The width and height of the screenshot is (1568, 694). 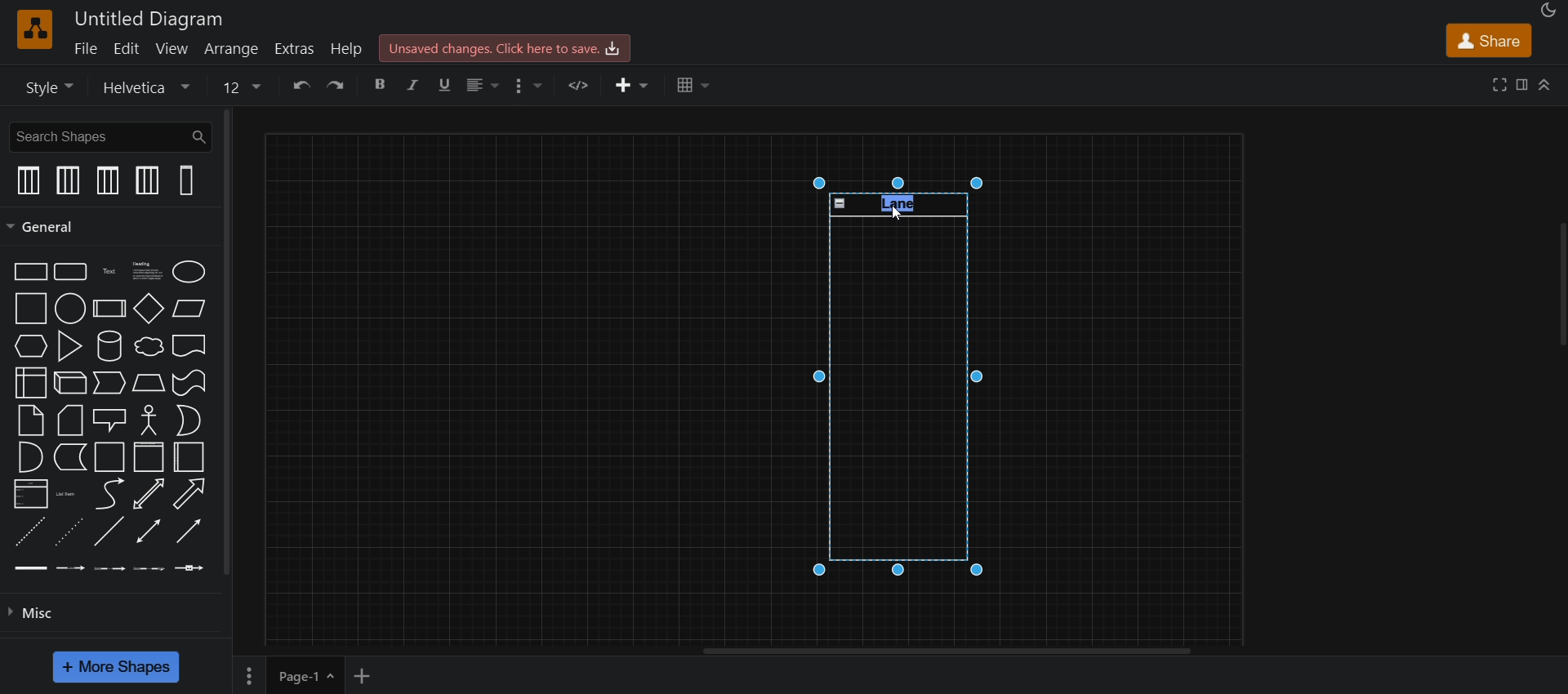 What do you see at coordinates (191, 345) in the screenshot?
I see `document` at bounding box center [191, 345].